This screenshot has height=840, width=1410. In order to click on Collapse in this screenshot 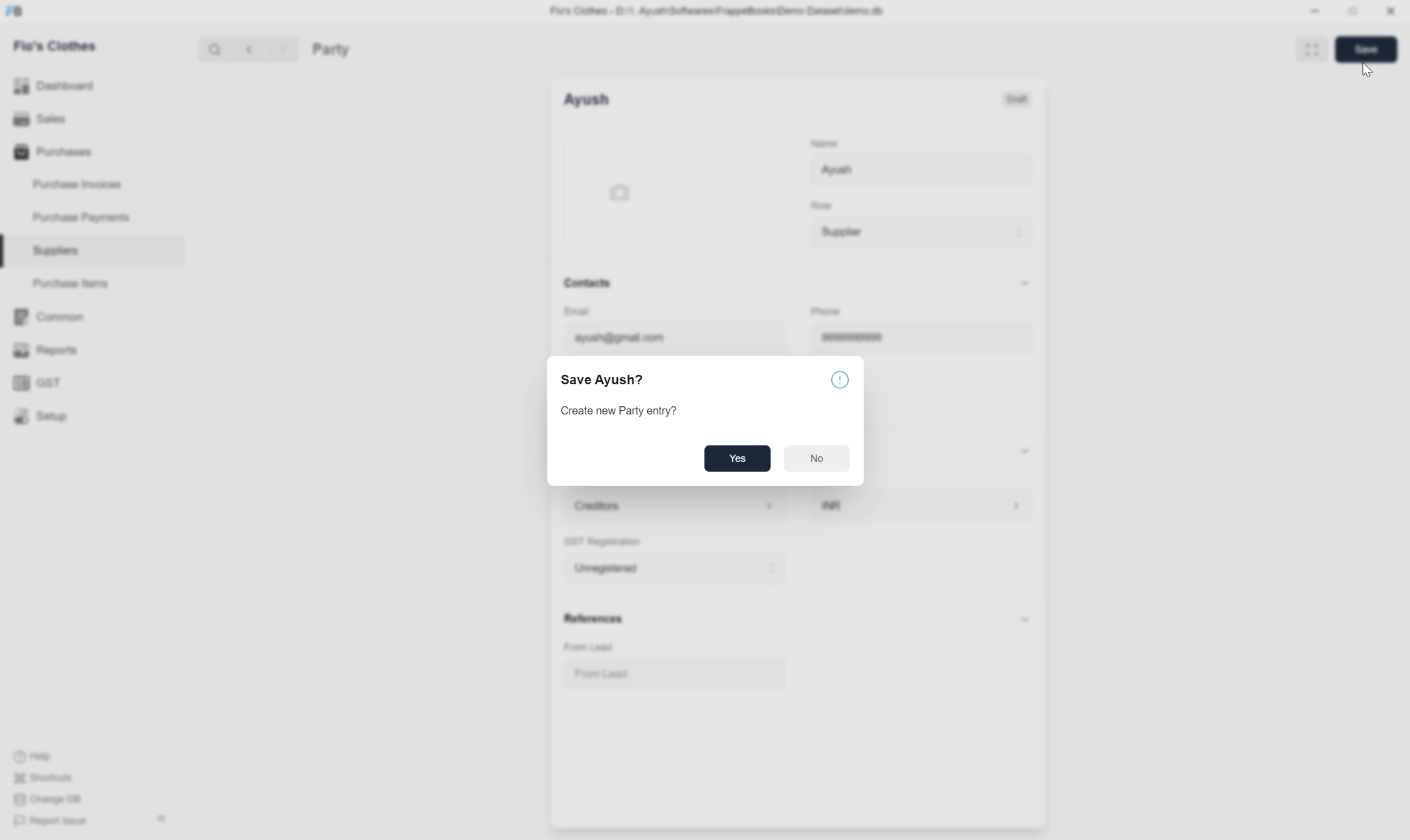, I will do `click(1025, 283)`.